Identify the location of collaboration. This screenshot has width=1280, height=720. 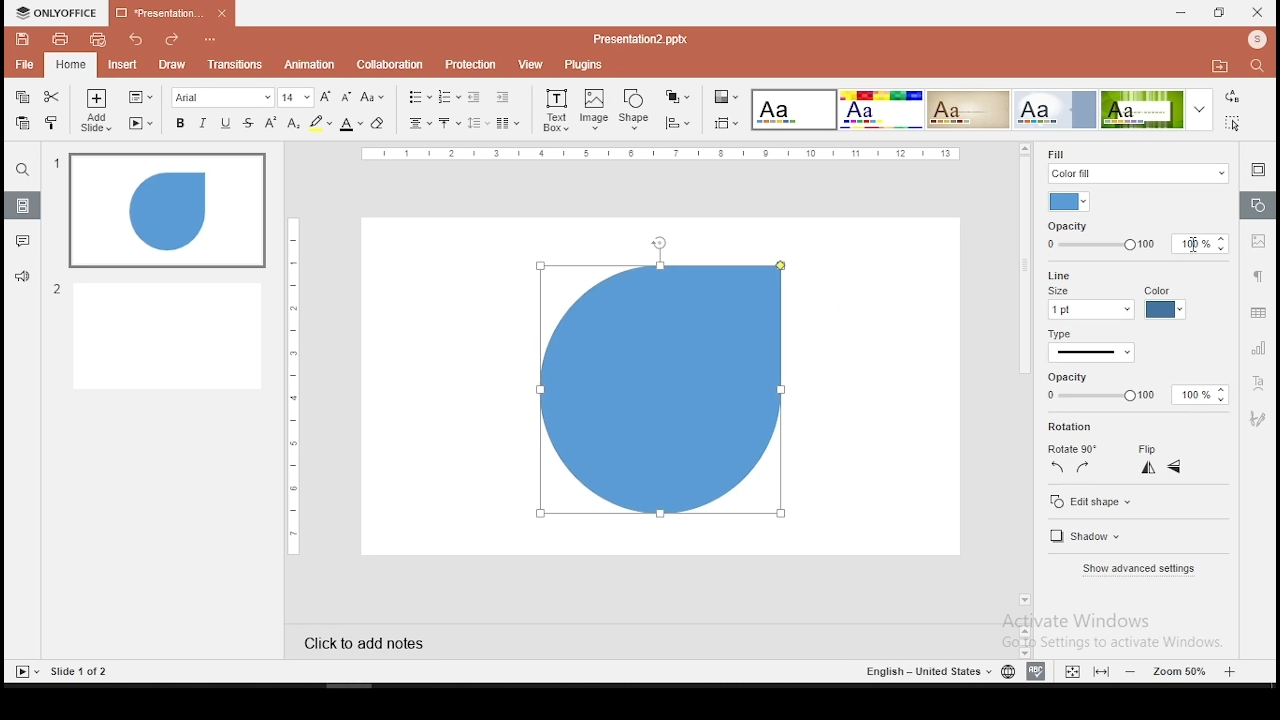
(389, 65).